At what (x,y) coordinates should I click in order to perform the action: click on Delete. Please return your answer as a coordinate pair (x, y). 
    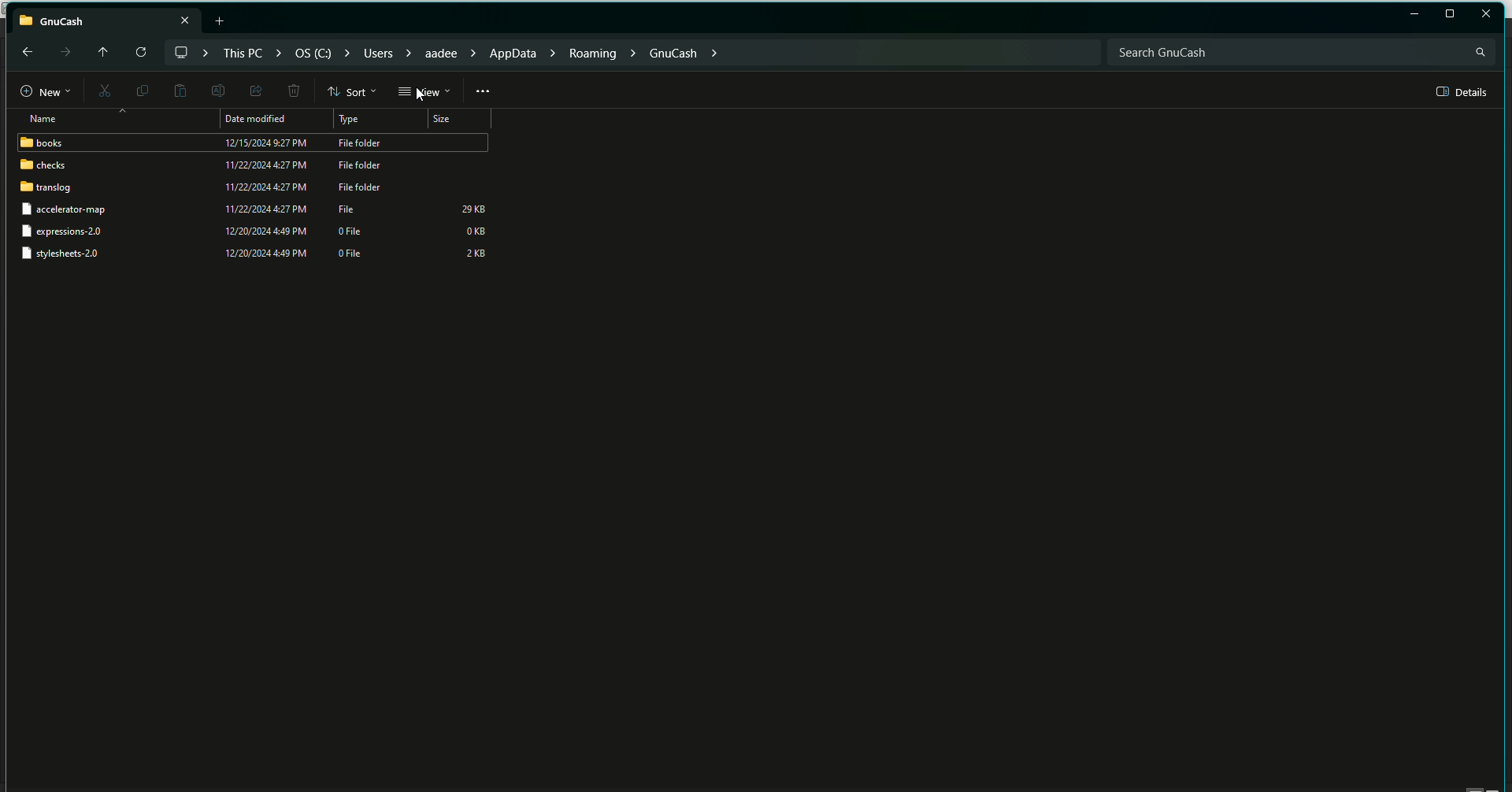
    Looking at the image, I should click on (293, 92).